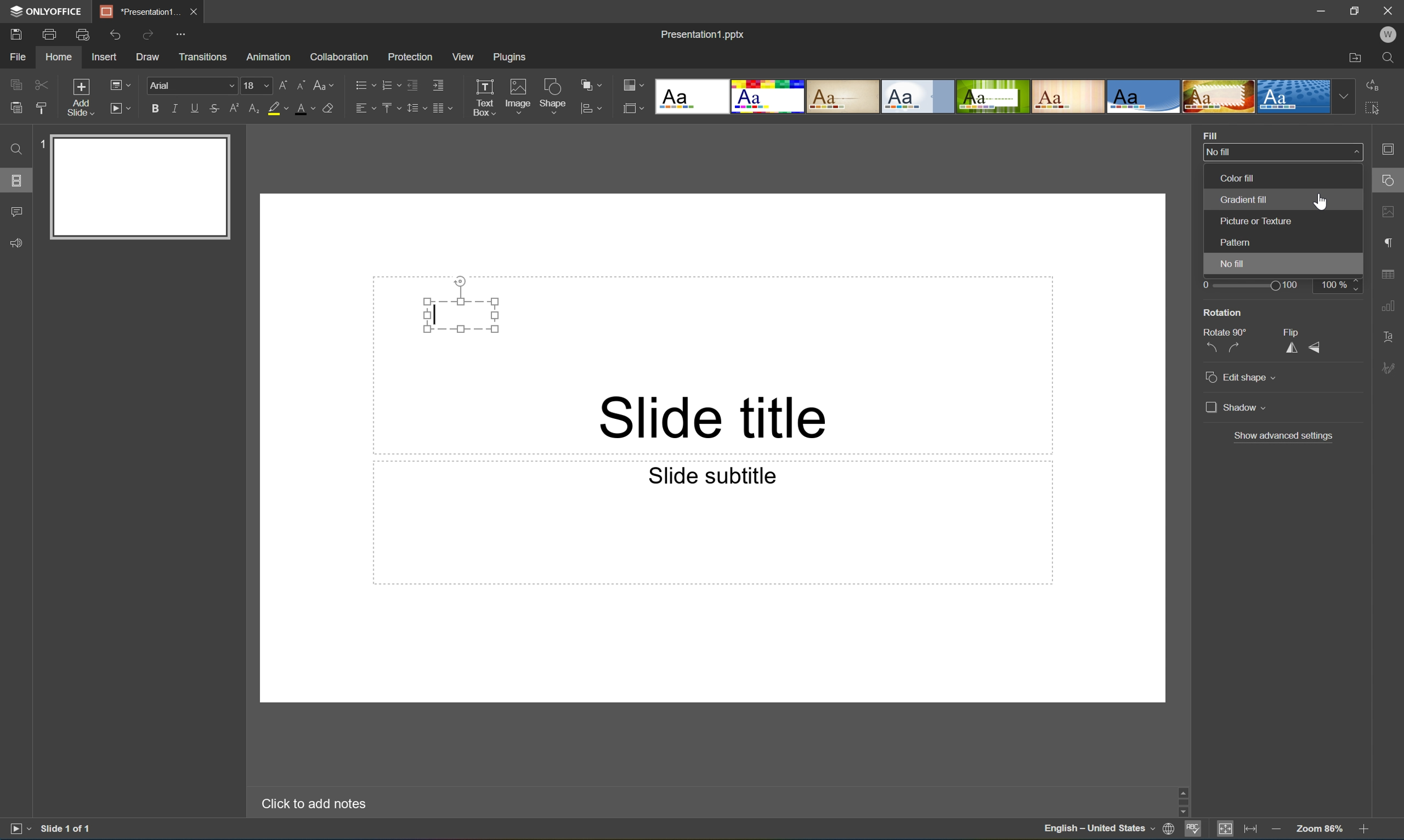 This screenshot has width=1404, height=840. Describe the element at coordinates (279, 109) in the screenshot. I see `Highlight` at that location.